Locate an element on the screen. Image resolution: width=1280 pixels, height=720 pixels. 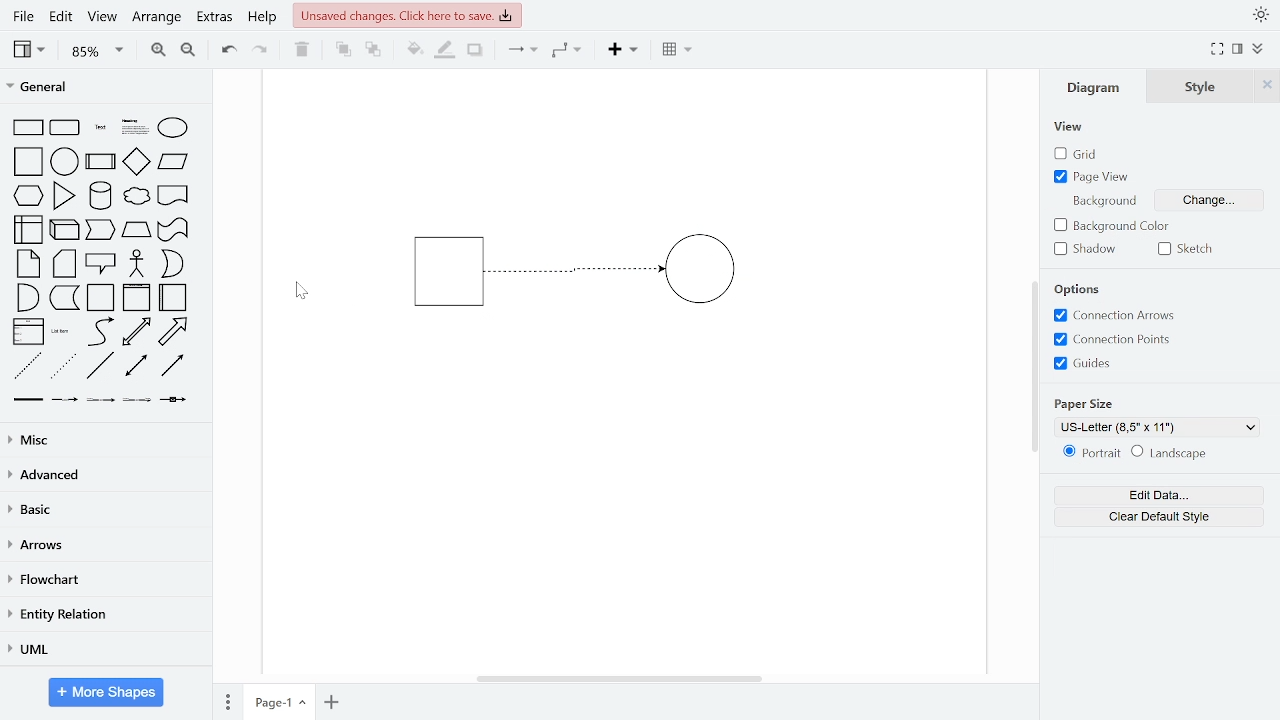
unsaved changes. Click here to save is located at coordinates (408, 14).